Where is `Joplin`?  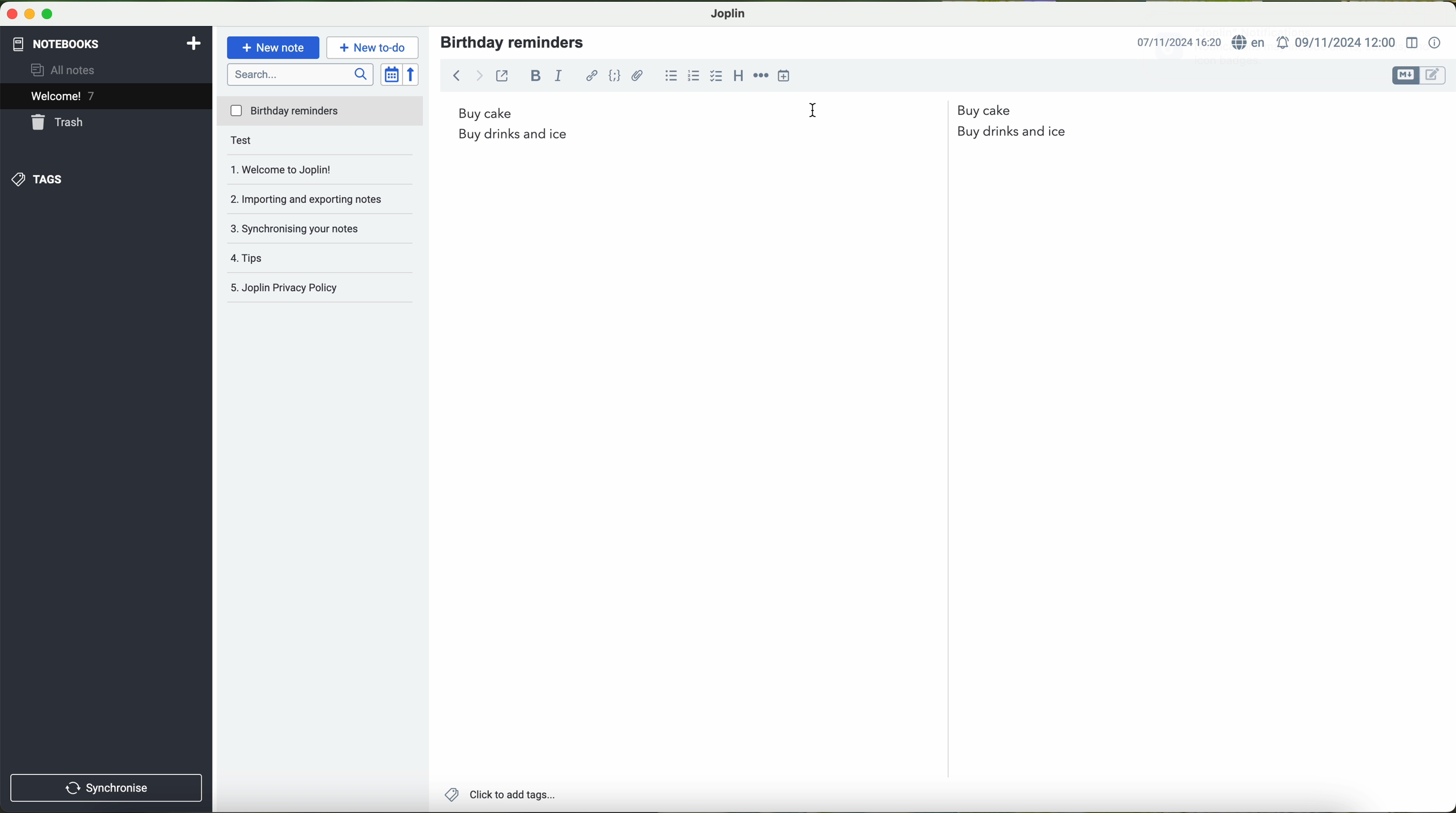
Joplin is located at coordinates (728, 15).